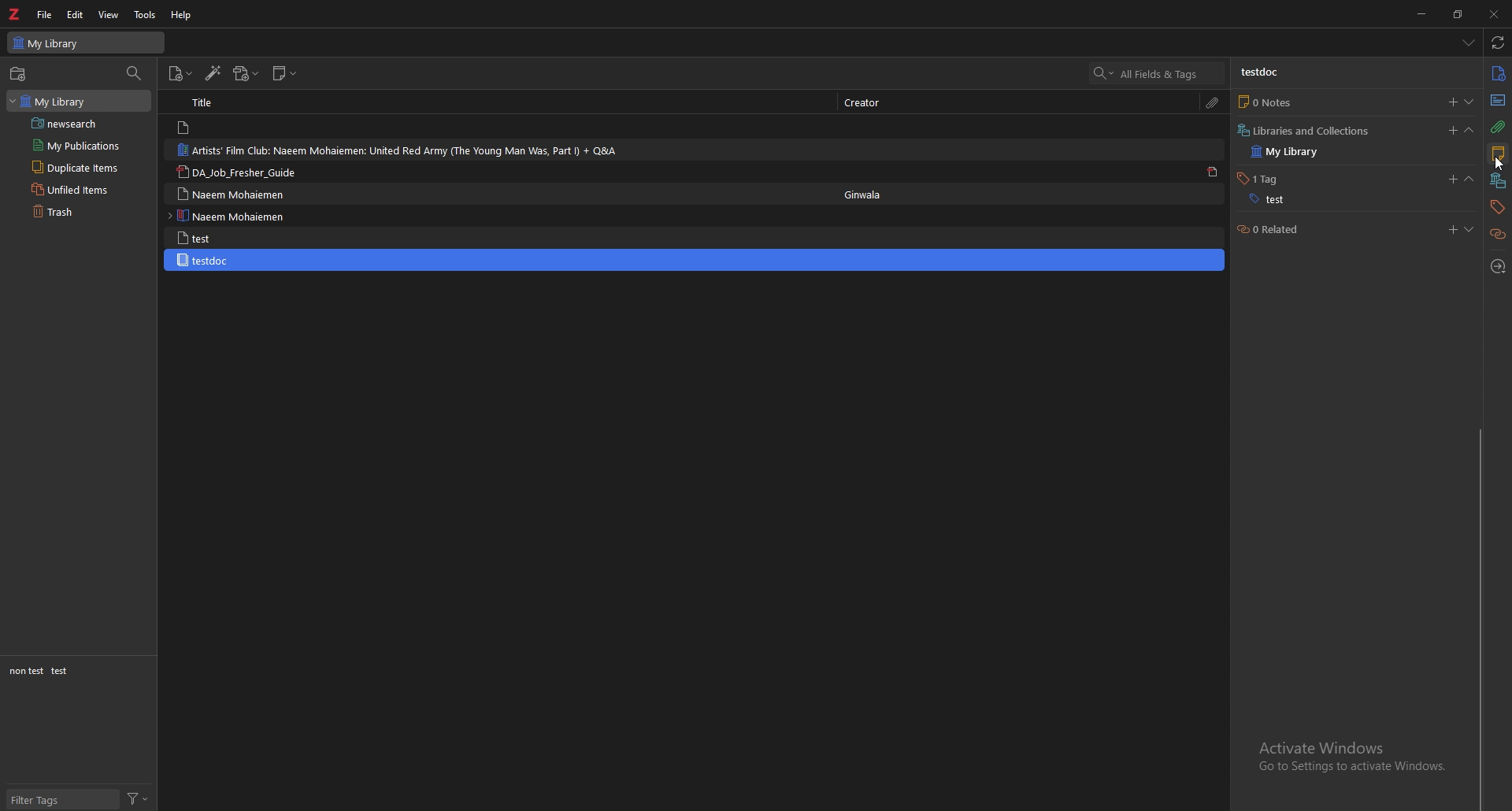 Image resolution: width=1512 pixels, height=811 pixels. I want to click on test, so click(232, 238).